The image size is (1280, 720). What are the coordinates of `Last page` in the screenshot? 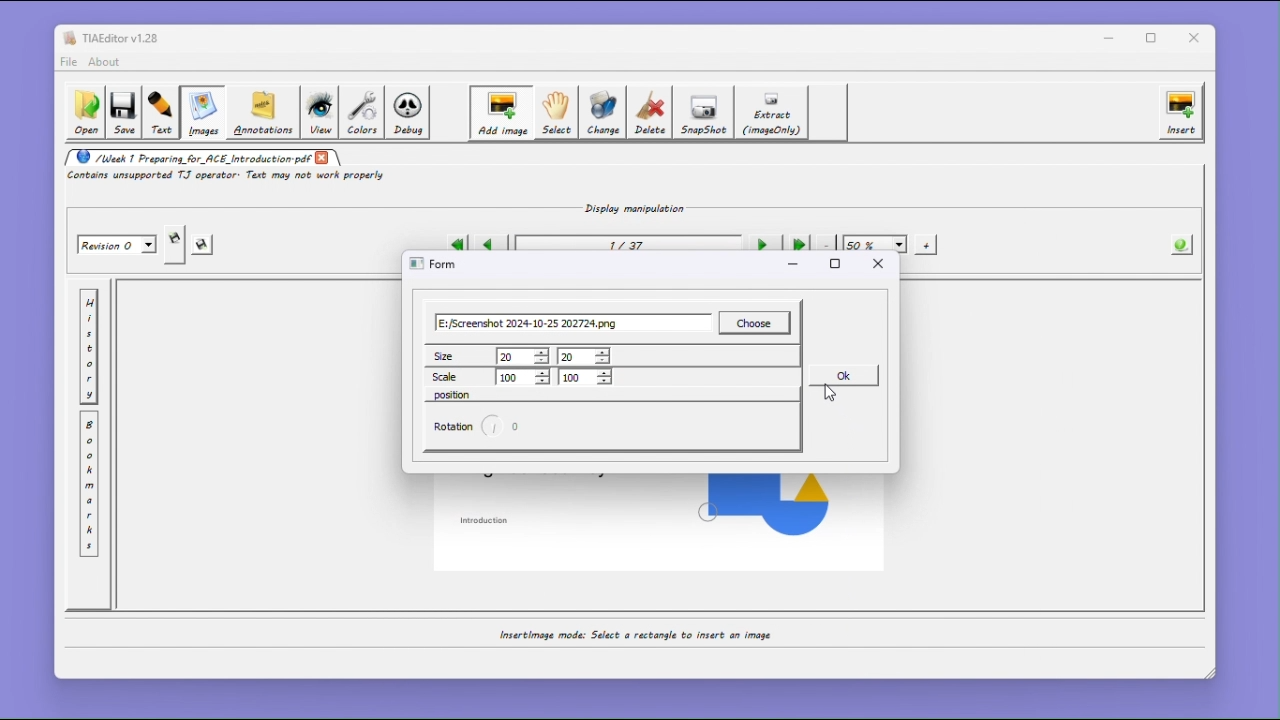 It's located at (798, 245).